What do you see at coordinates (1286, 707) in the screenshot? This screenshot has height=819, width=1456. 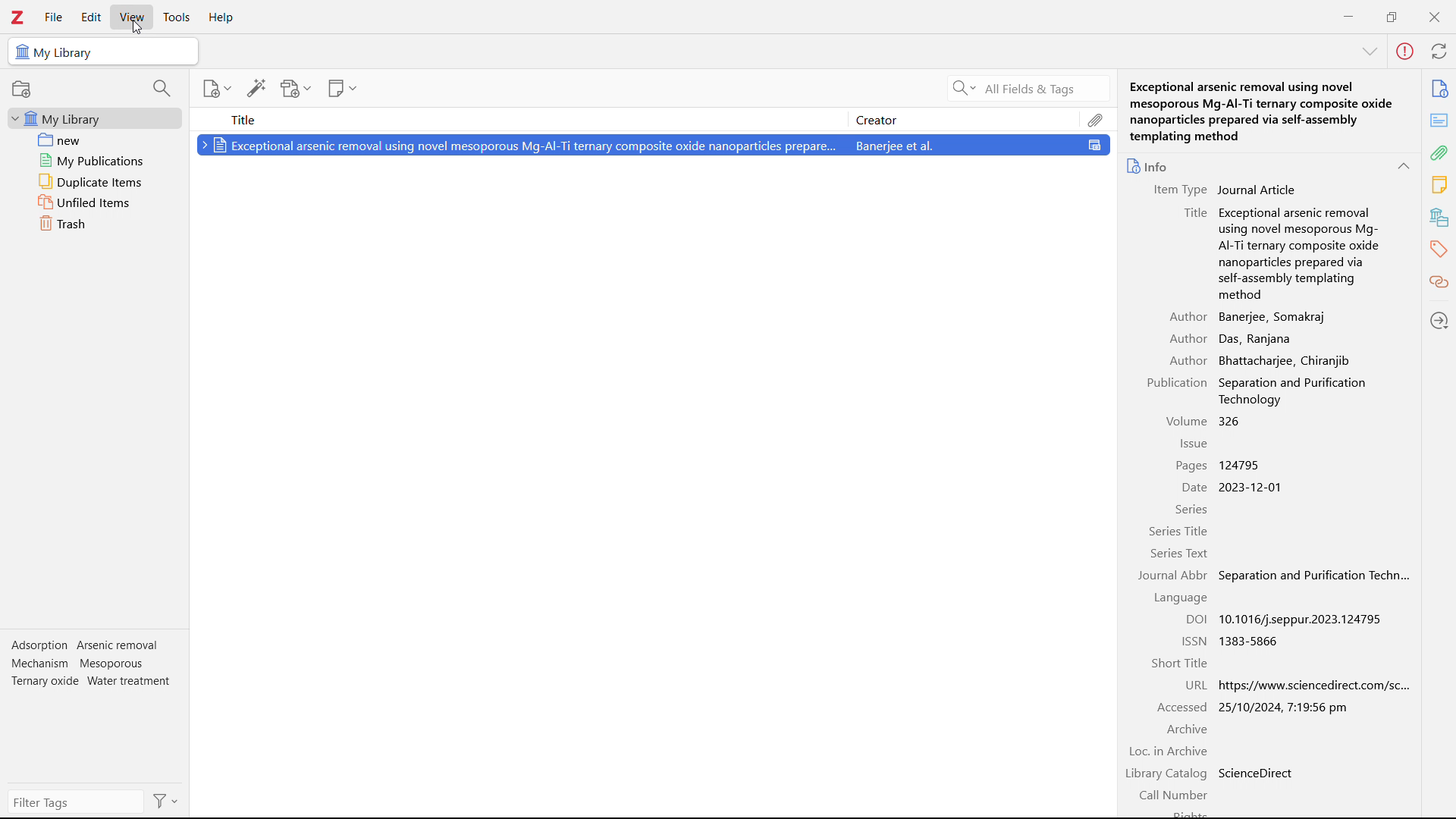 I see `25/10/2024, 7:19:56 pm` at bounding box center [1286, 707].